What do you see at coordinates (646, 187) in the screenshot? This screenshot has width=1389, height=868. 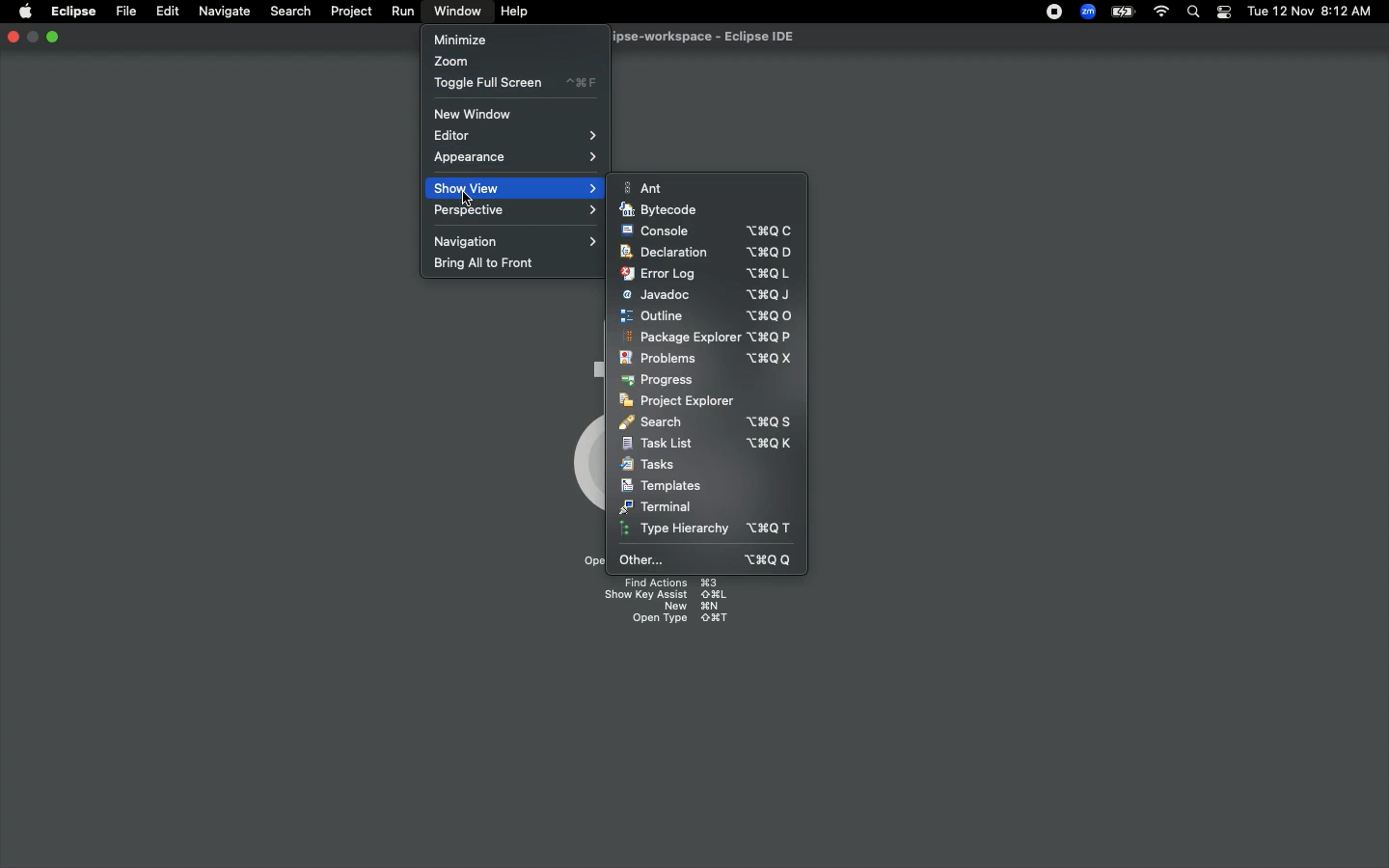 I see `Ant` at bounding box center [646, 187].